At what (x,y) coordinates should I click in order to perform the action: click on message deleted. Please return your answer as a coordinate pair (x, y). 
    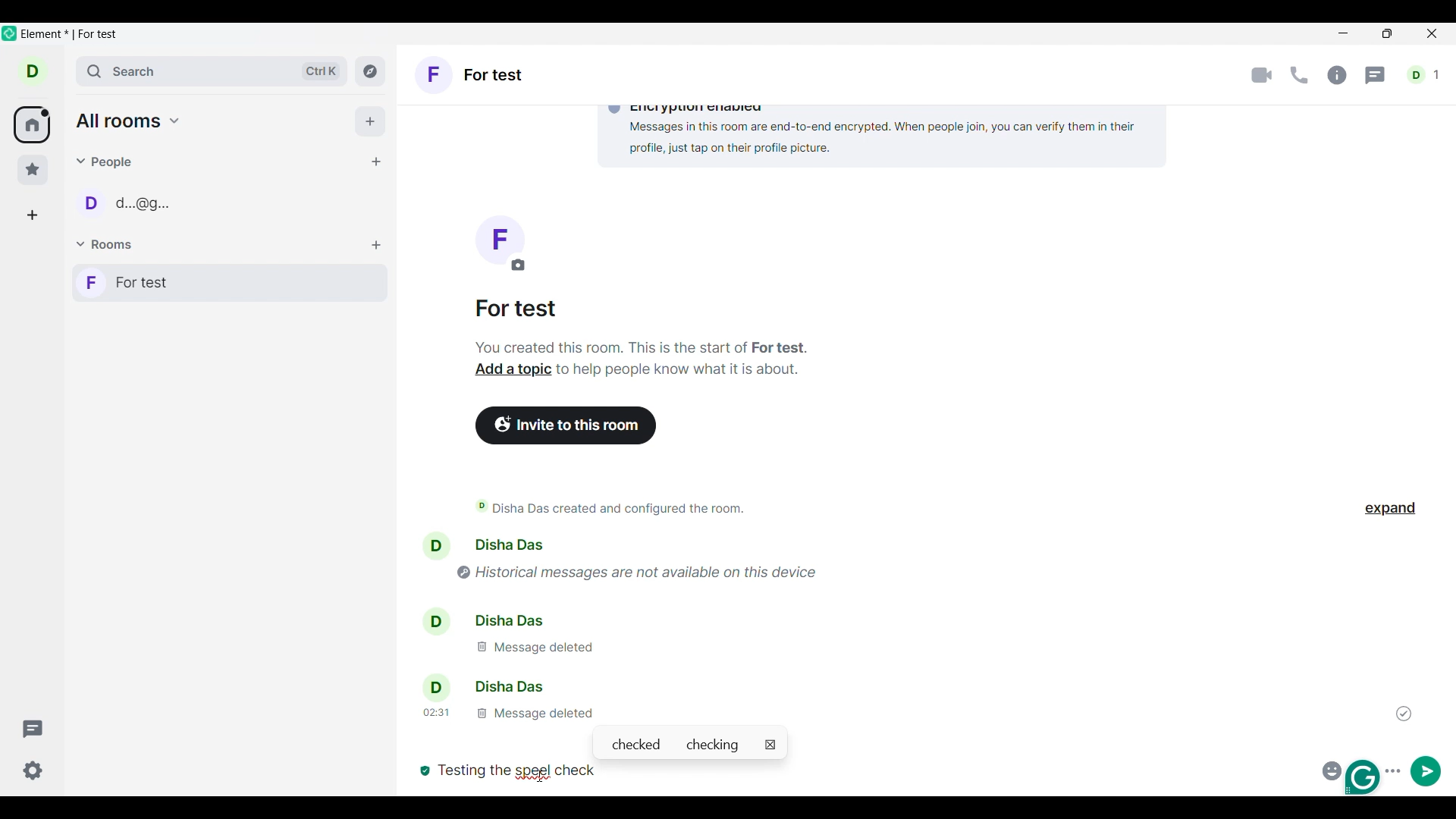
    Looking at the image, I should click on (506, 712).